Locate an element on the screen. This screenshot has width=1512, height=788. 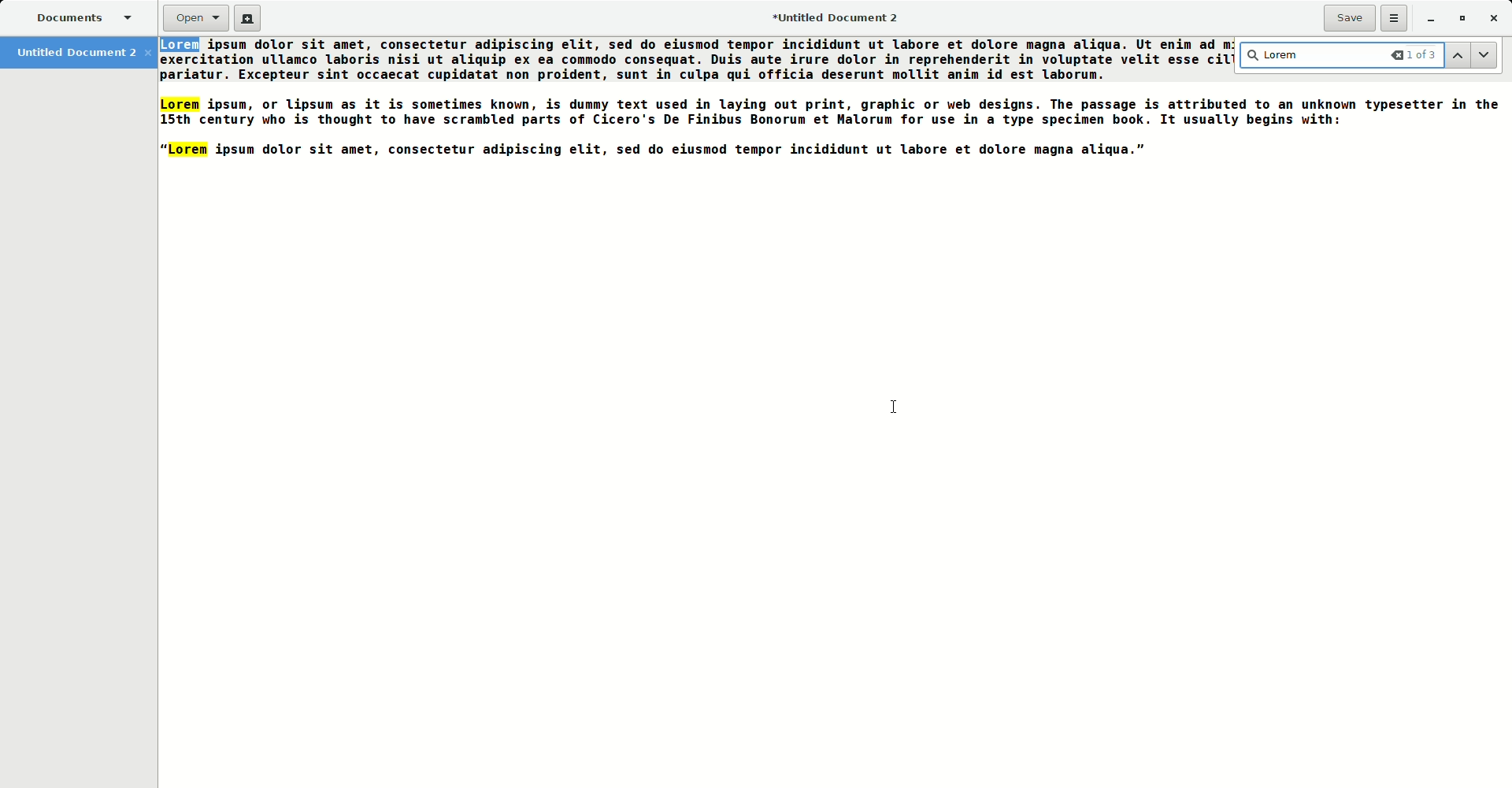
Close is located at coordinates (1495, 19).